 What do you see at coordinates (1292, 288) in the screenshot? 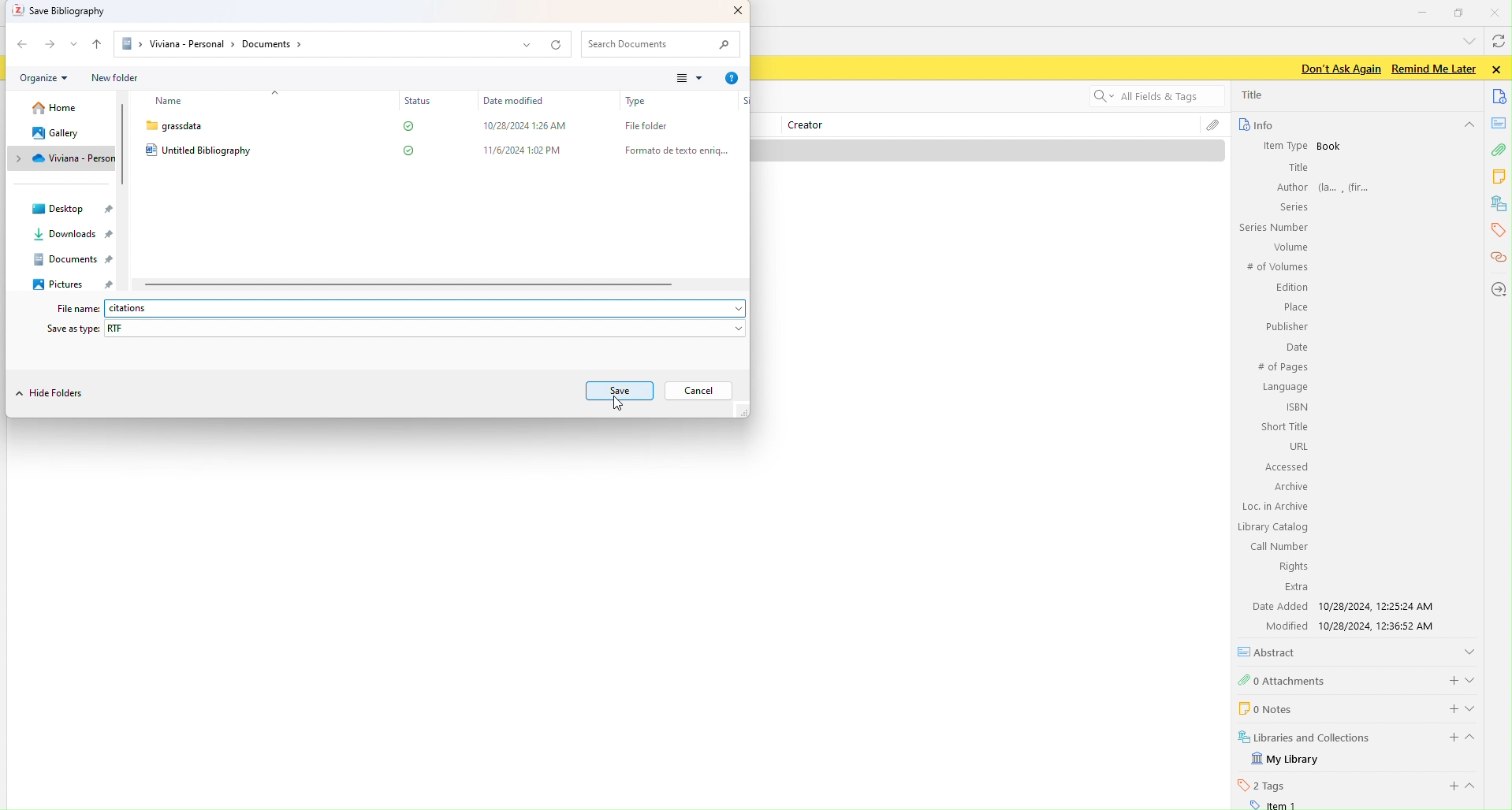
I see `Edition` at bounding box center [1292, 288].